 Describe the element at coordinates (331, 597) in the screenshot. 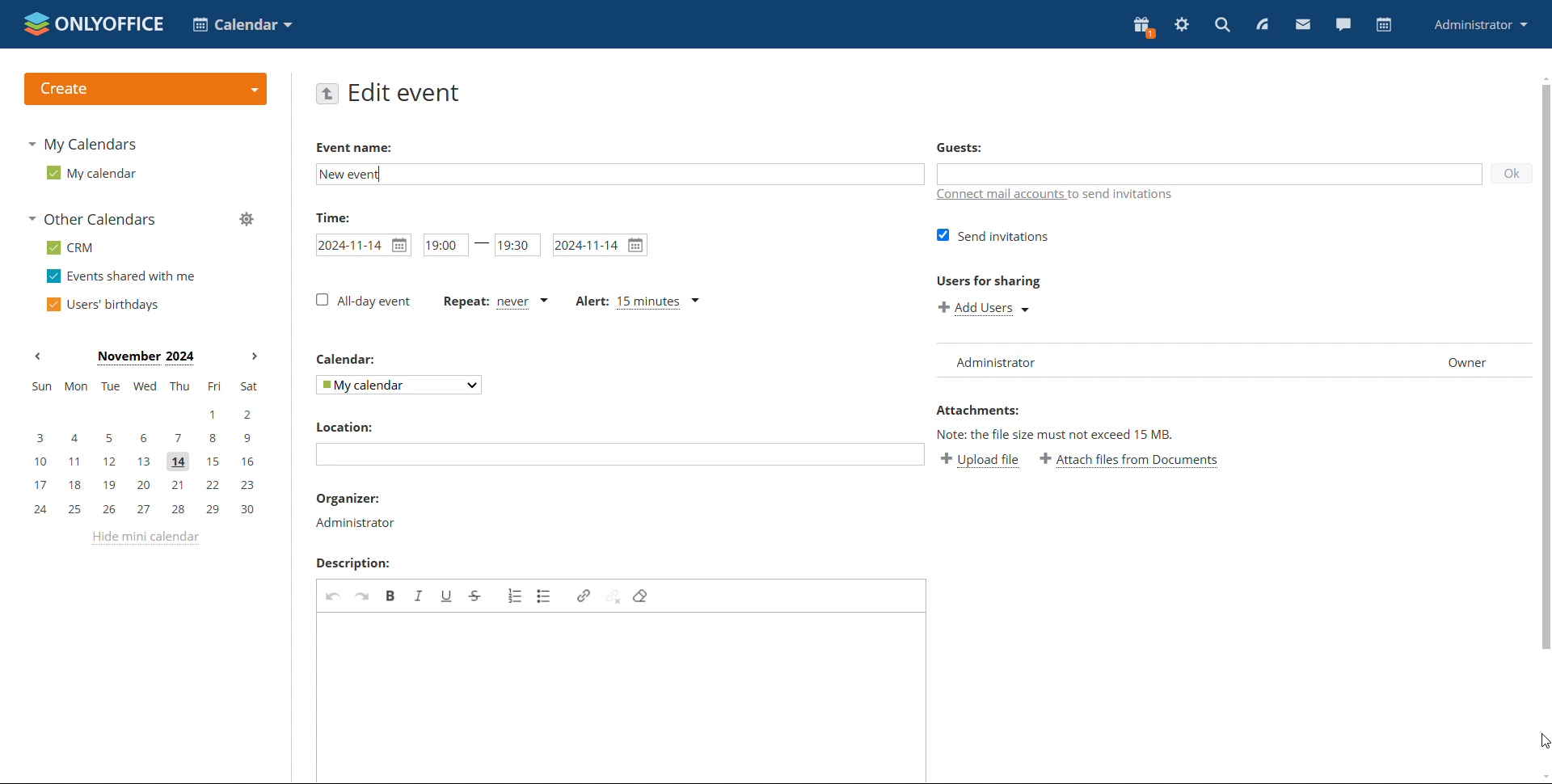

I see `undo` at that location.